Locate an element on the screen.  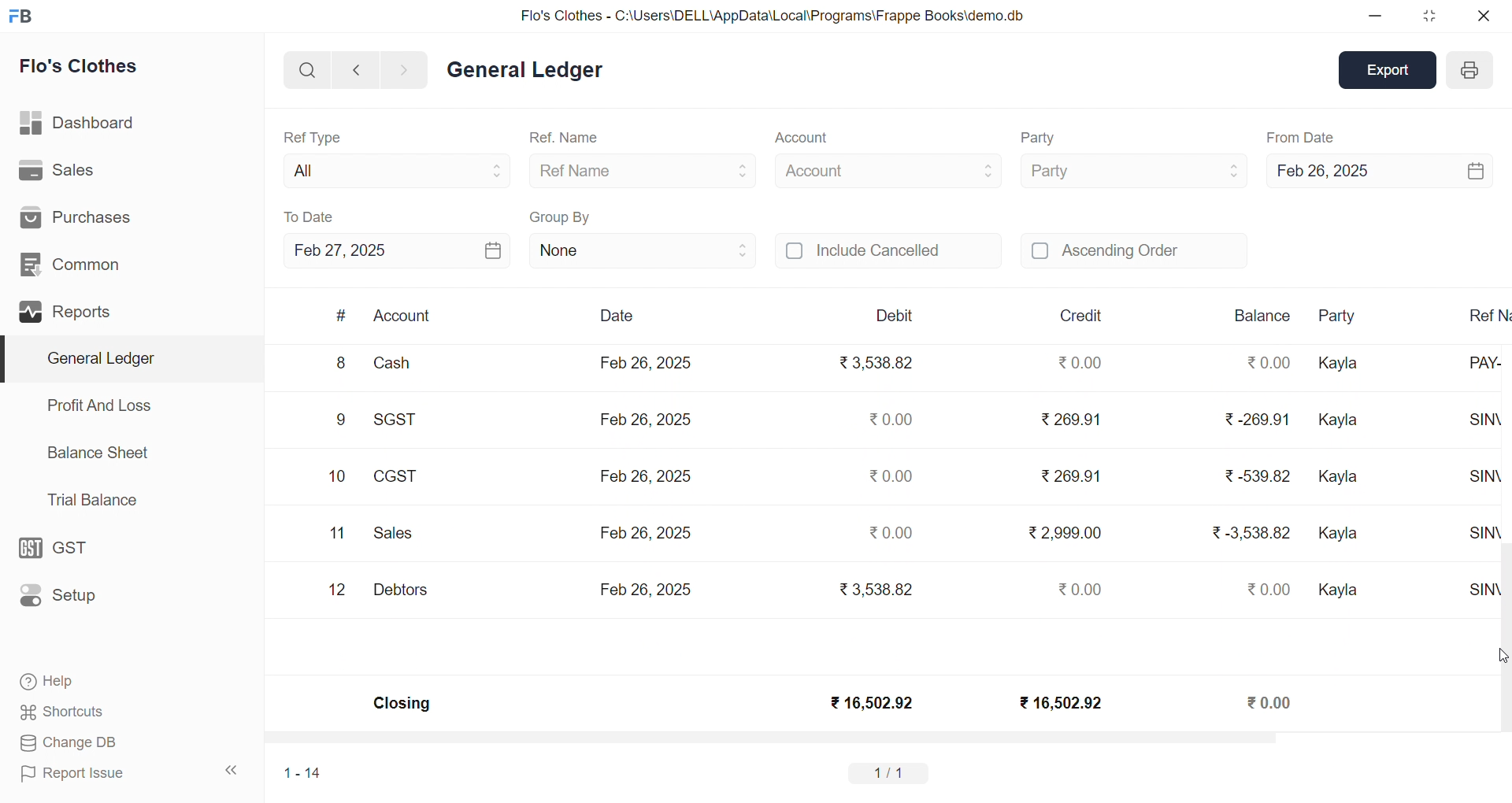
₹ 16,502.92 is located at coordinates (870, 703).